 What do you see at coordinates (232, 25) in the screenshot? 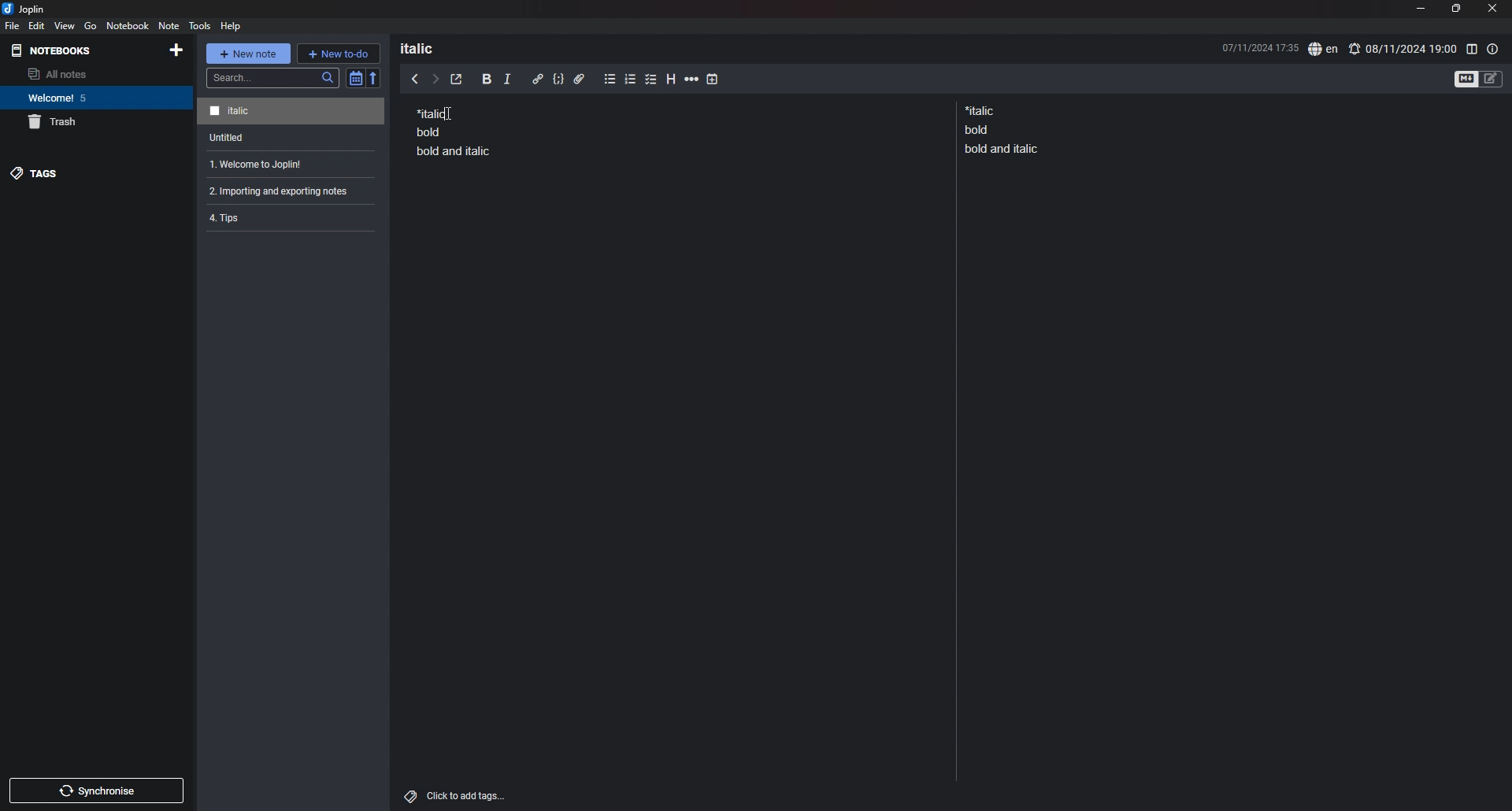
I see `help` at bounding box center [232, 25].